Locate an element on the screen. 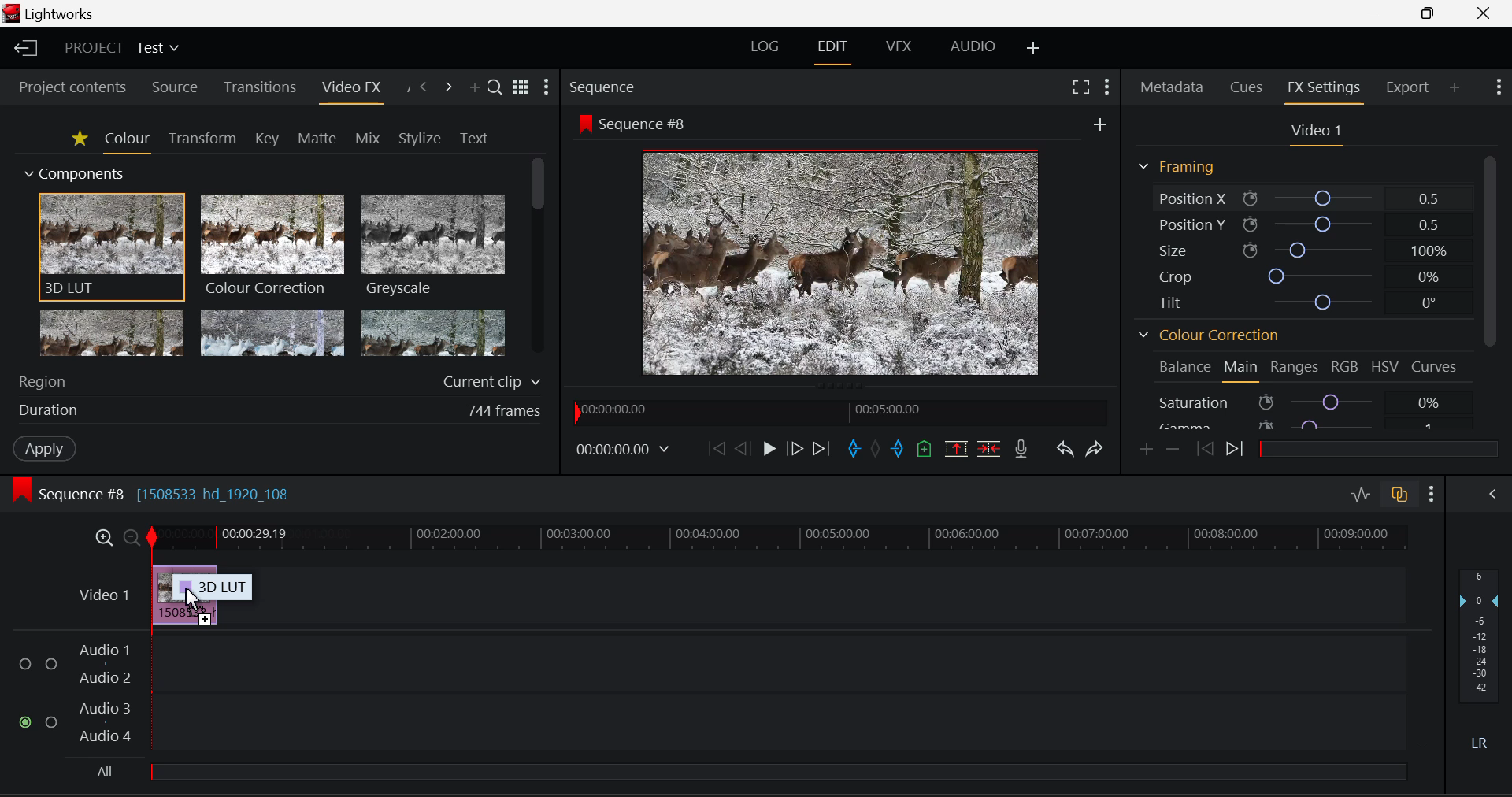 The width and height of the screenshot is (1512, 797). Project Timeline is located at coordinates (780, 539).